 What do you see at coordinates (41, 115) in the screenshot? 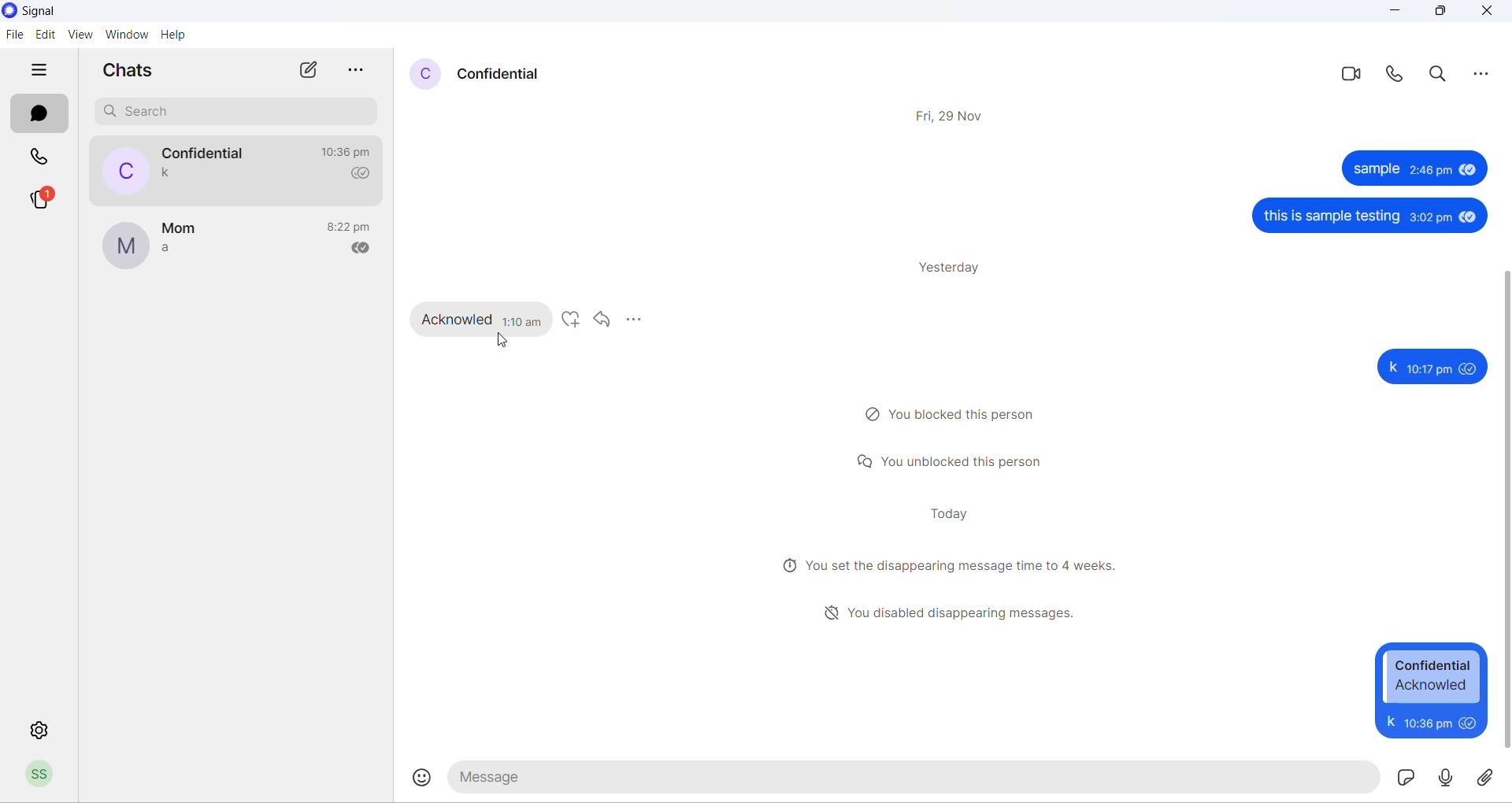
I see `chats` at bounding box center [41, 115].